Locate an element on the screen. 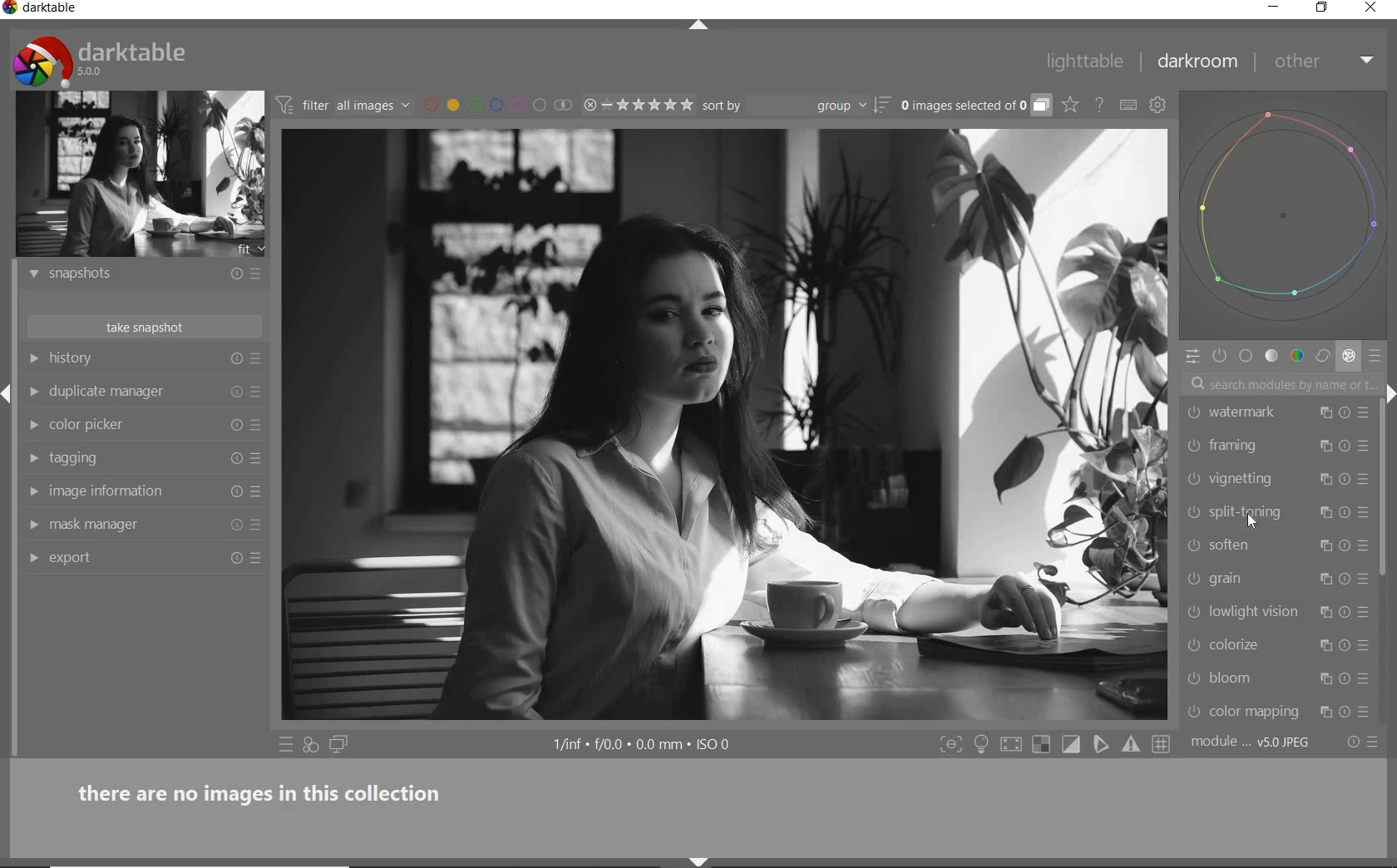 The image size is (1397, 868). tone is located at coordinates (1272, 358).